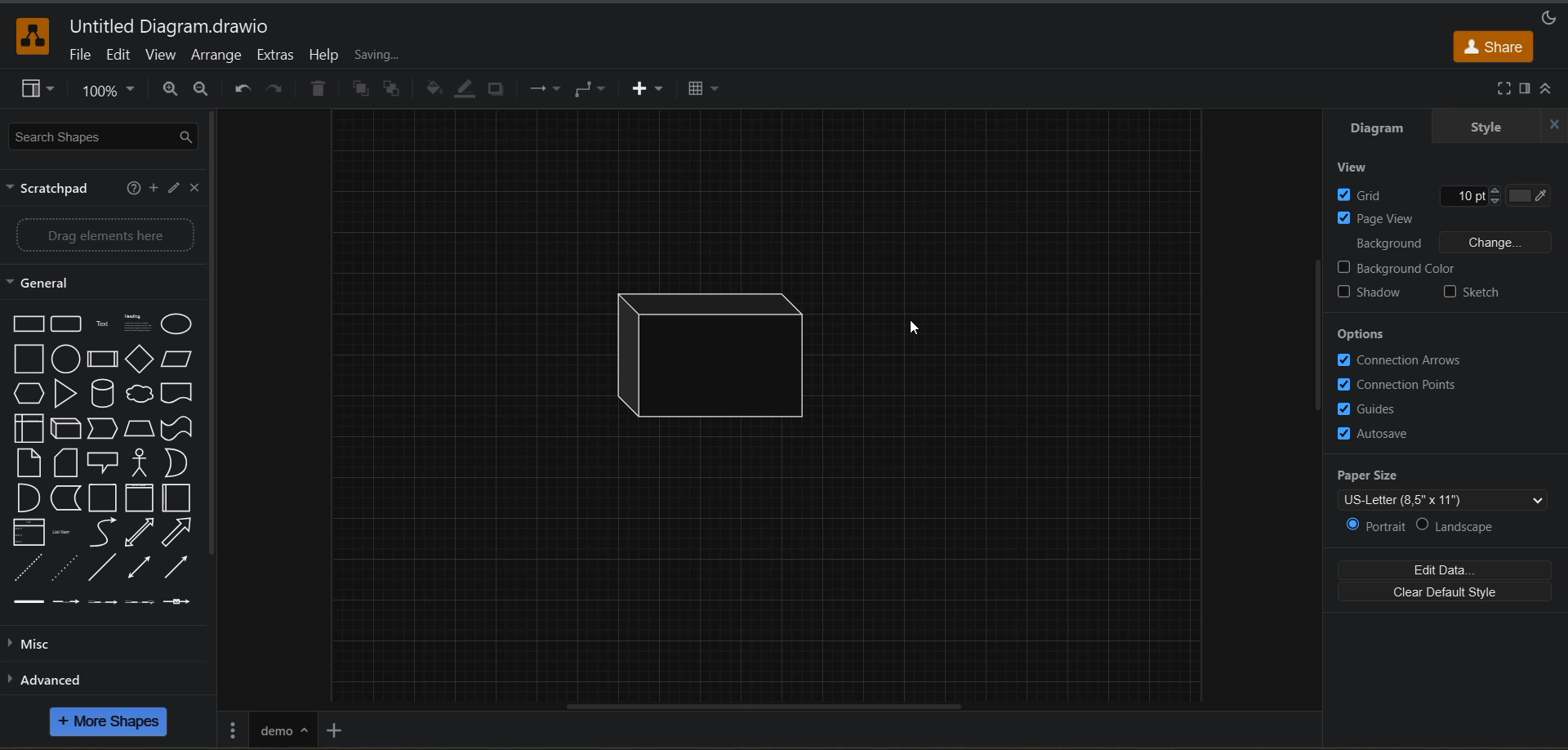  Describe the element at coordinates (1376, 525) in the screenshot. I see `portrait` at that location.